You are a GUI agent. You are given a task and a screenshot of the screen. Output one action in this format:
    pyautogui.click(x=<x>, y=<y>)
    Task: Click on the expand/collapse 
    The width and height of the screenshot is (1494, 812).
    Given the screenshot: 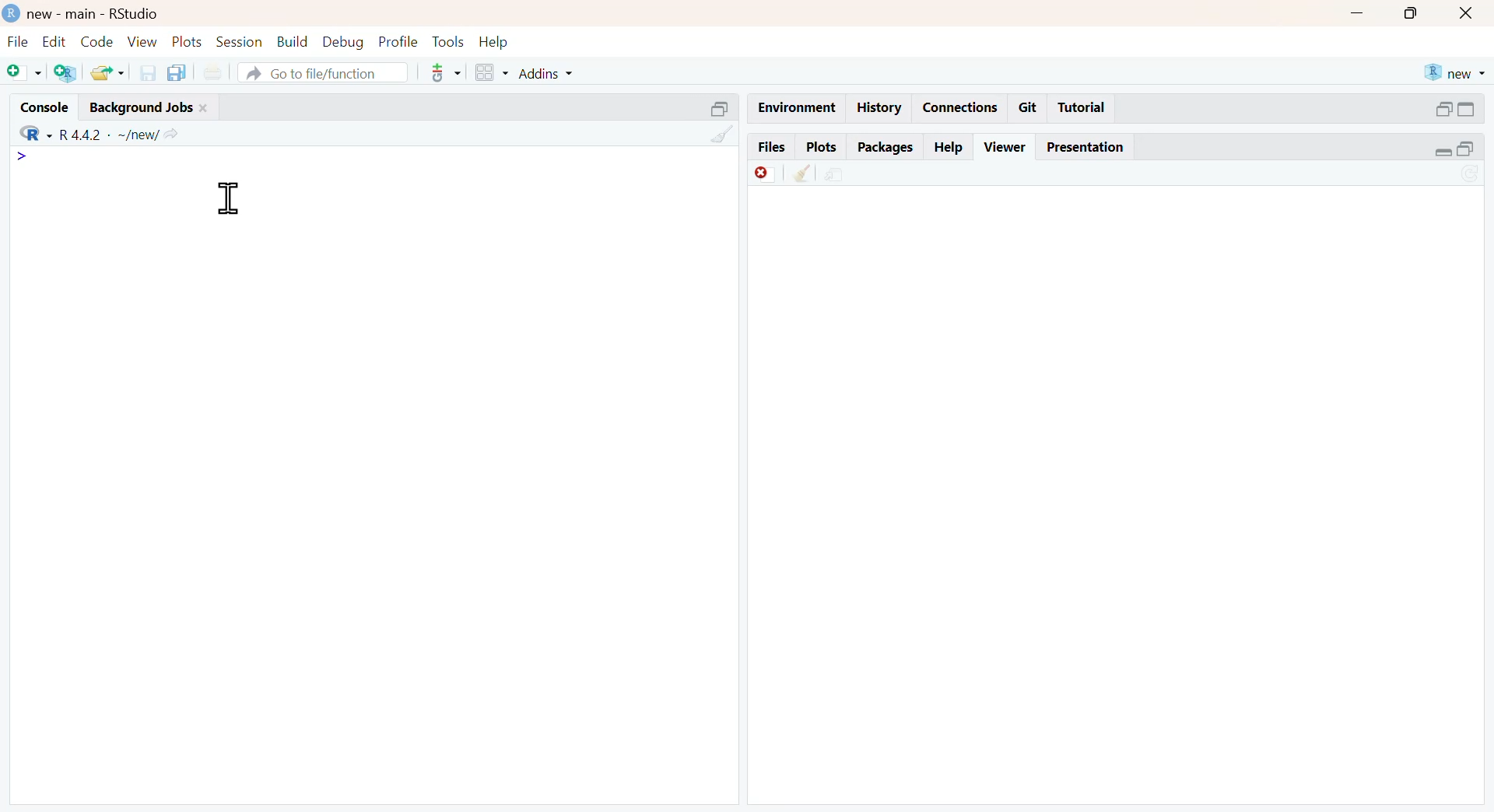 What is the action you would take?
    pyautogui.click(x=1442, y=152)
    